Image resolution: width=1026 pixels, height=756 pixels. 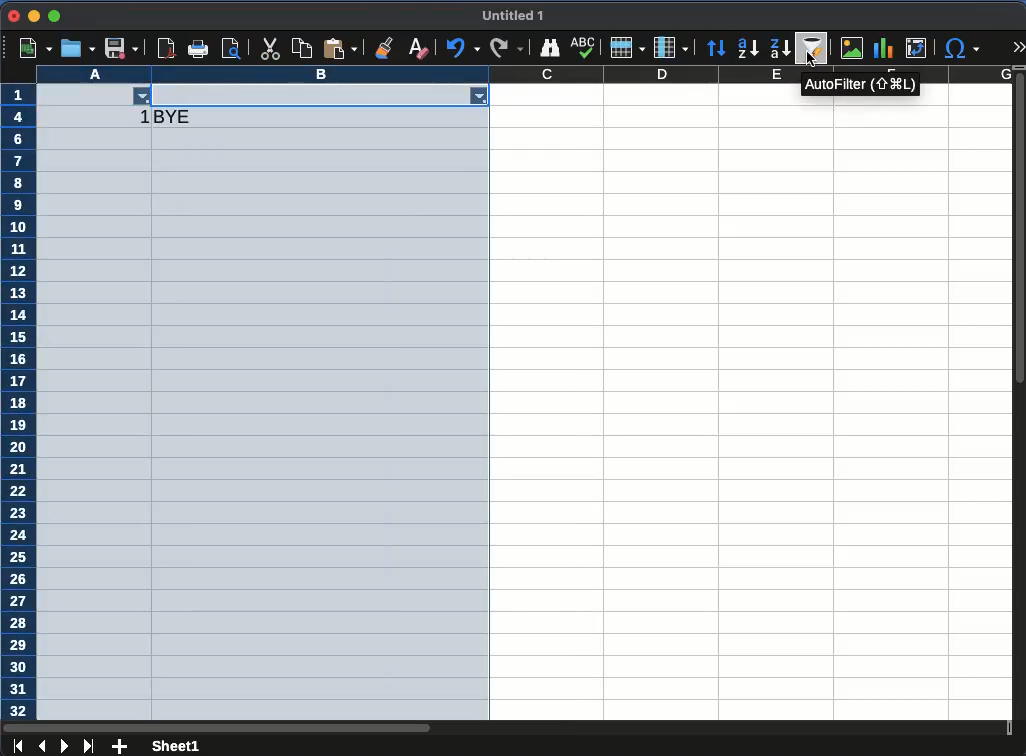 What do you see at coordinates (89, 746) in the screenshot?
I see `last sheet` at bounding box center [89, 746].